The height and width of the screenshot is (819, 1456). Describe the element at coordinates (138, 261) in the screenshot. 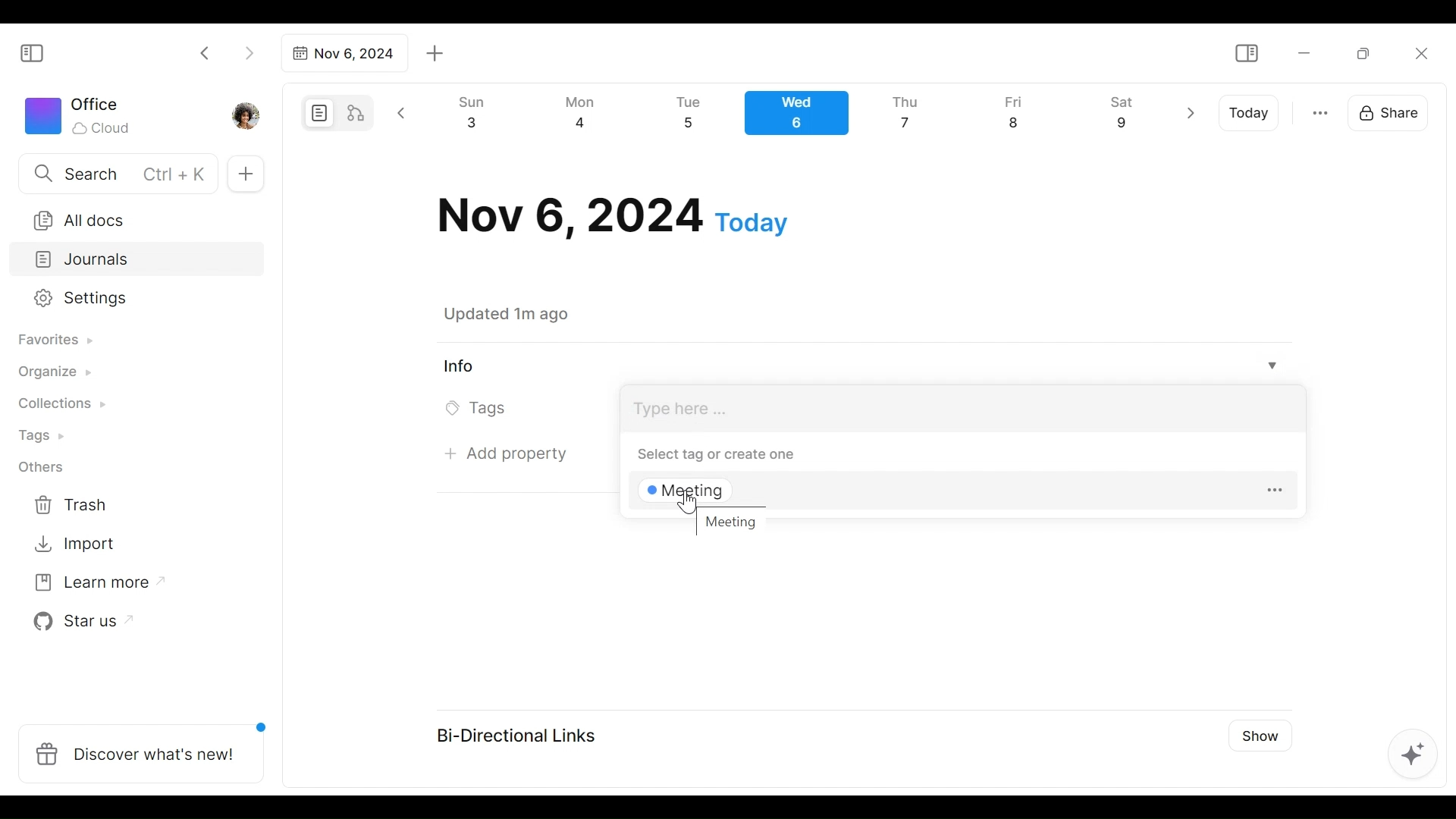

I see `Journals` at that location.